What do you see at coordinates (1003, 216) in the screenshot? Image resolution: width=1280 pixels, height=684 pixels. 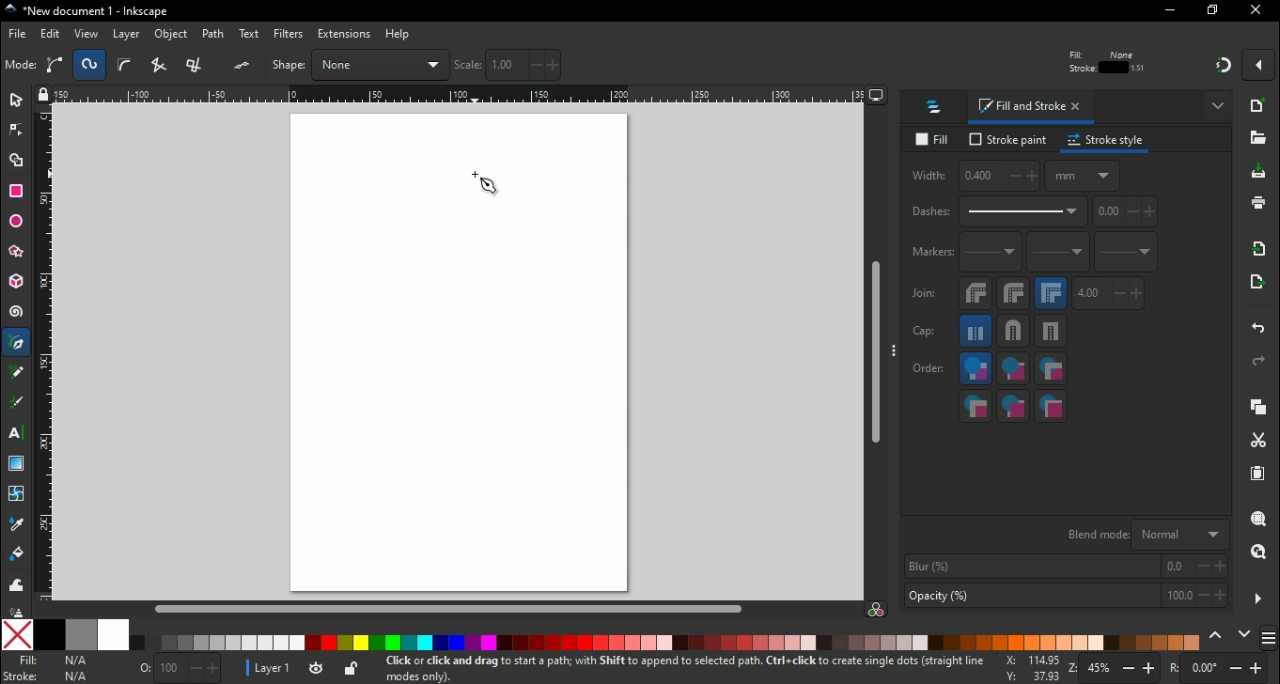 I see `dashes` at bounding box center [1003, 216].